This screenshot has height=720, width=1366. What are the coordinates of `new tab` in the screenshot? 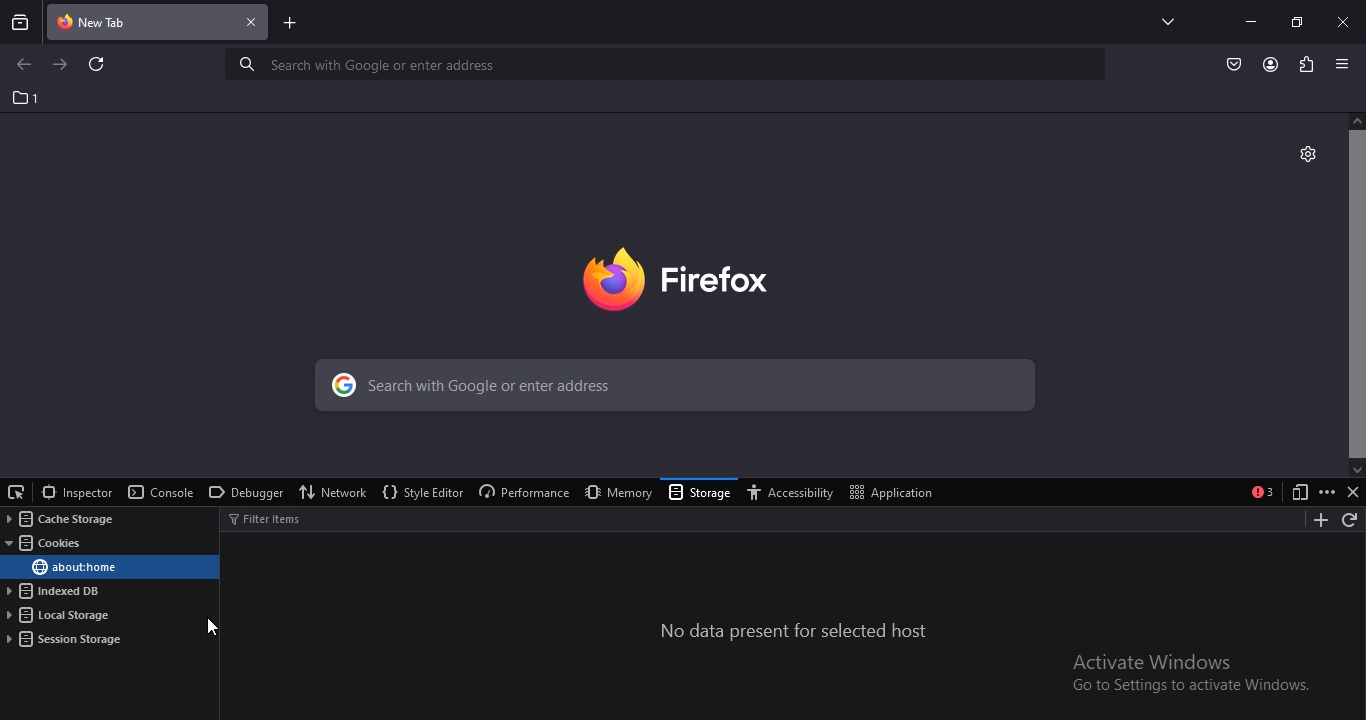 It's located at (291, 25).